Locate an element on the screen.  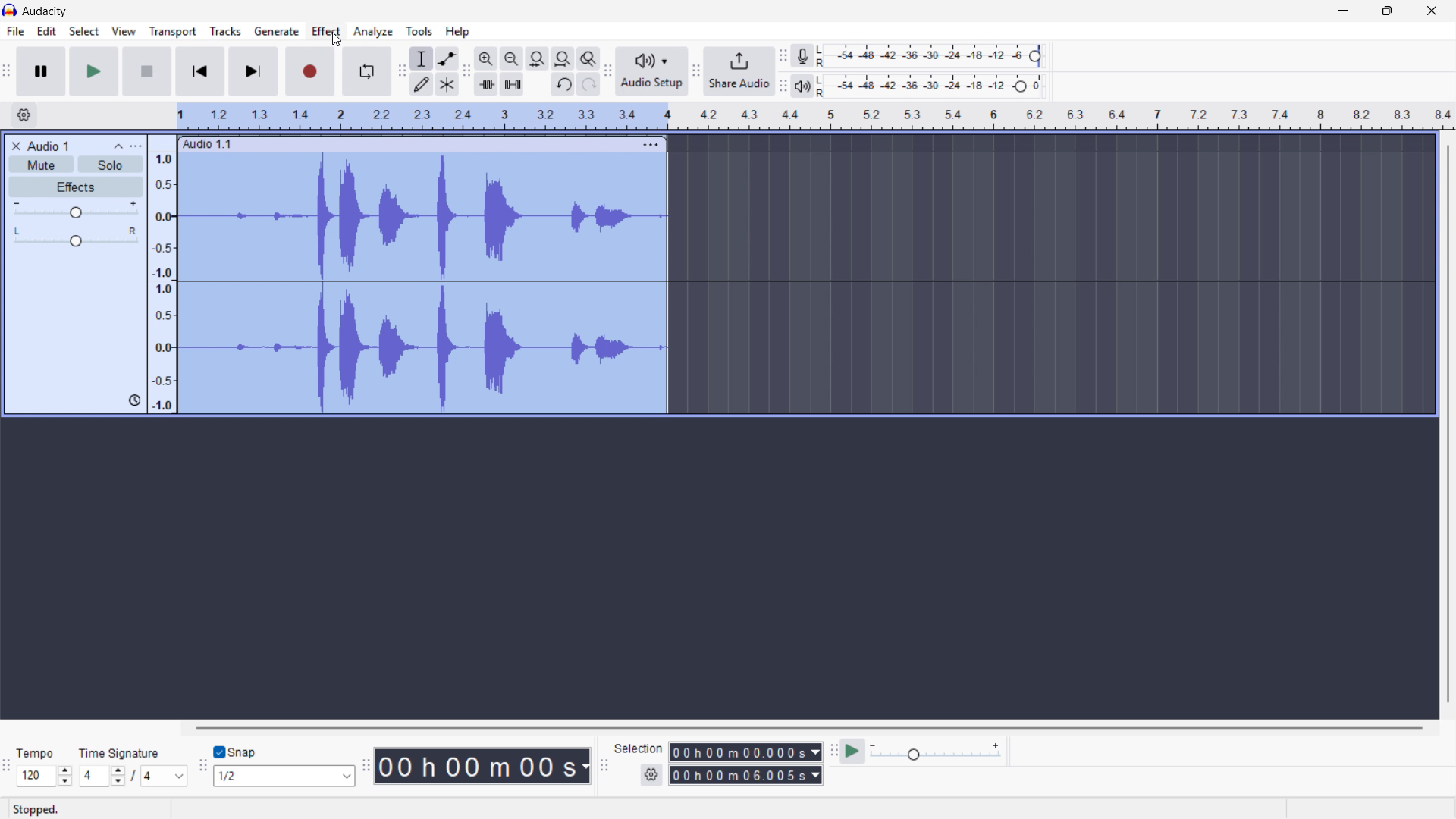
Playback metre toolbar is located at coordinates (783, 86).